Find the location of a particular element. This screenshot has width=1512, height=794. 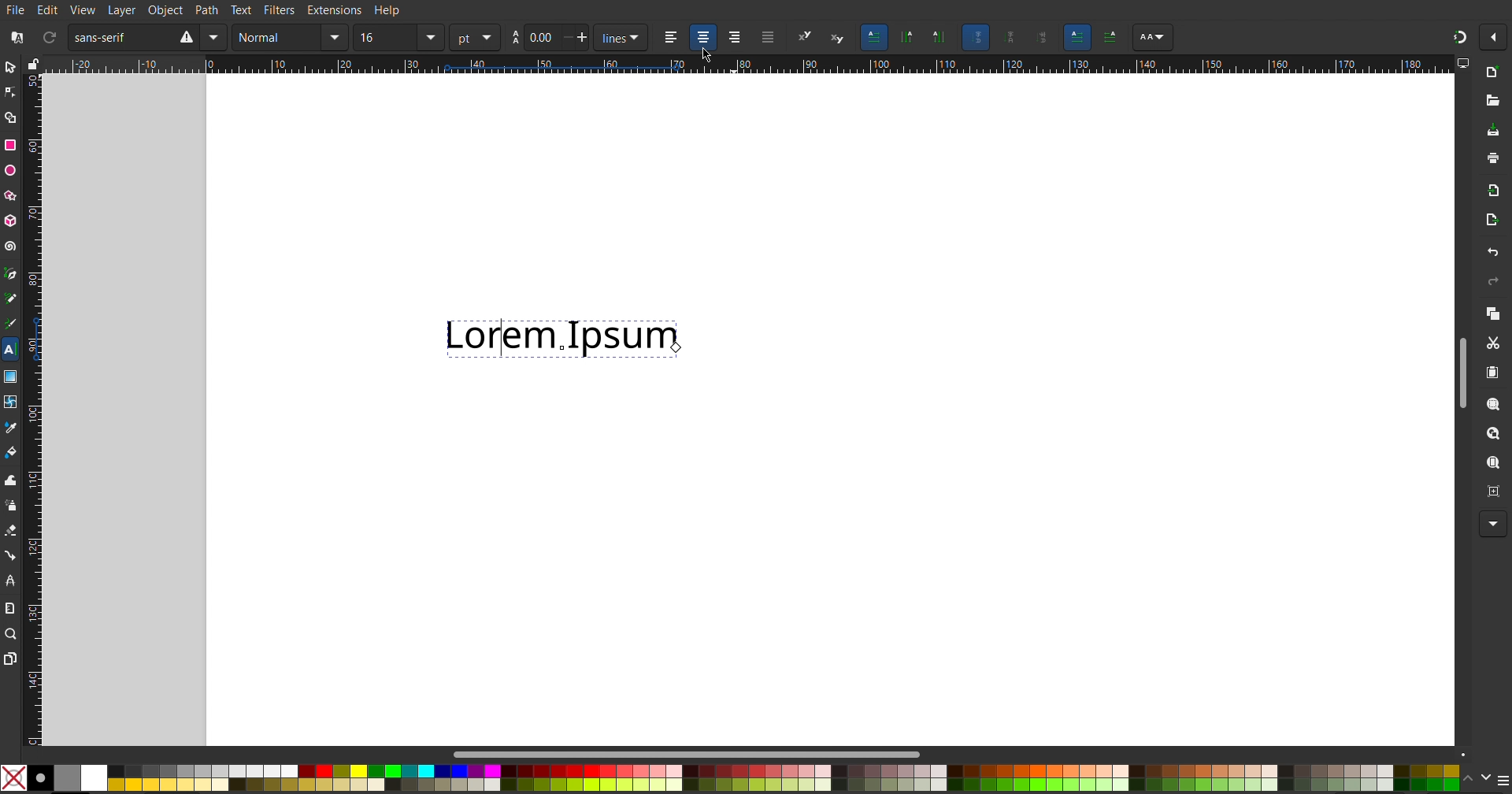

Text Style is located at coordinates (289, 38).